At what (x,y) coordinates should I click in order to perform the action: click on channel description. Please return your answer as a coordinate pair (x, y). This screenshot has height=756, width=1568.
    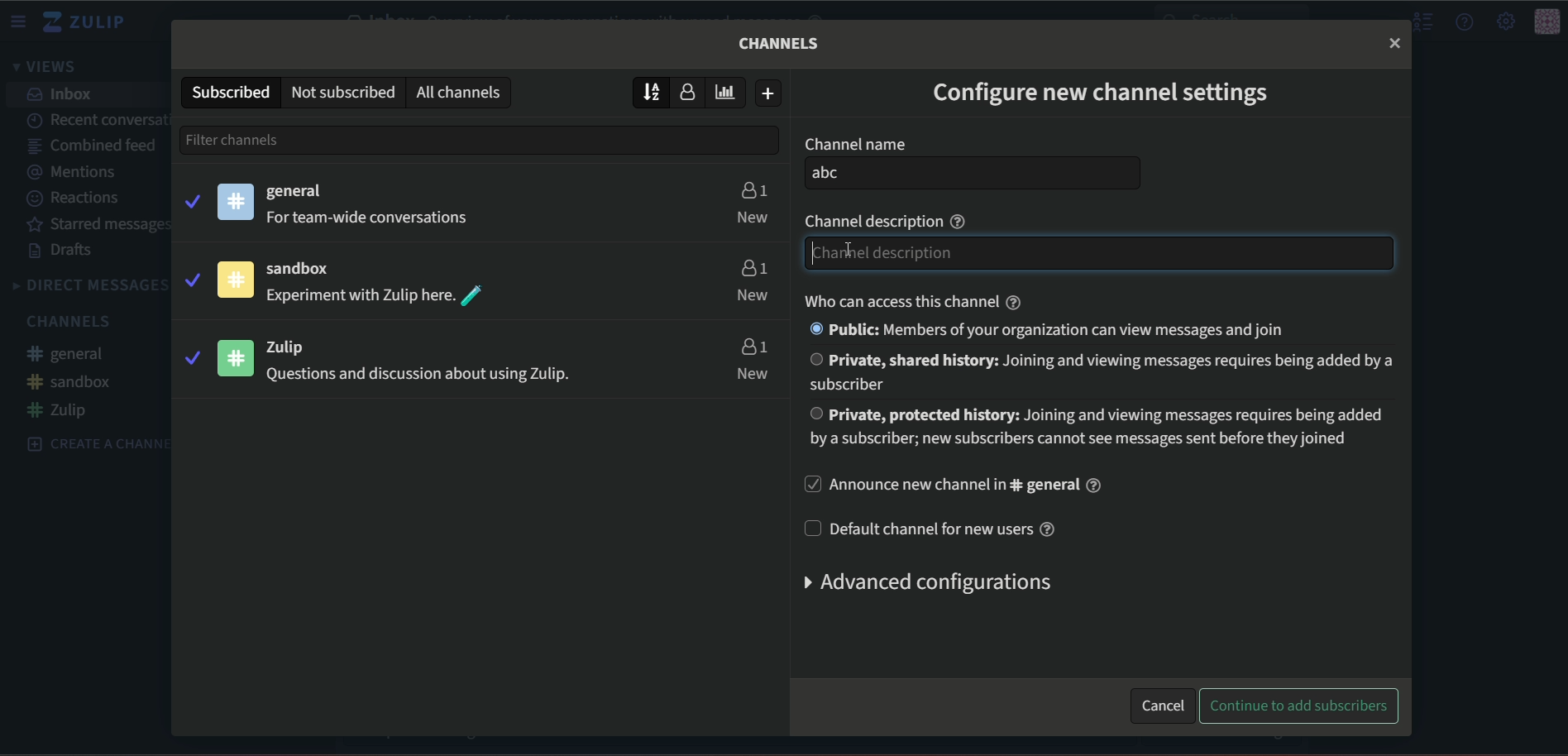
    Looking at the image, I should click on (889, 219).